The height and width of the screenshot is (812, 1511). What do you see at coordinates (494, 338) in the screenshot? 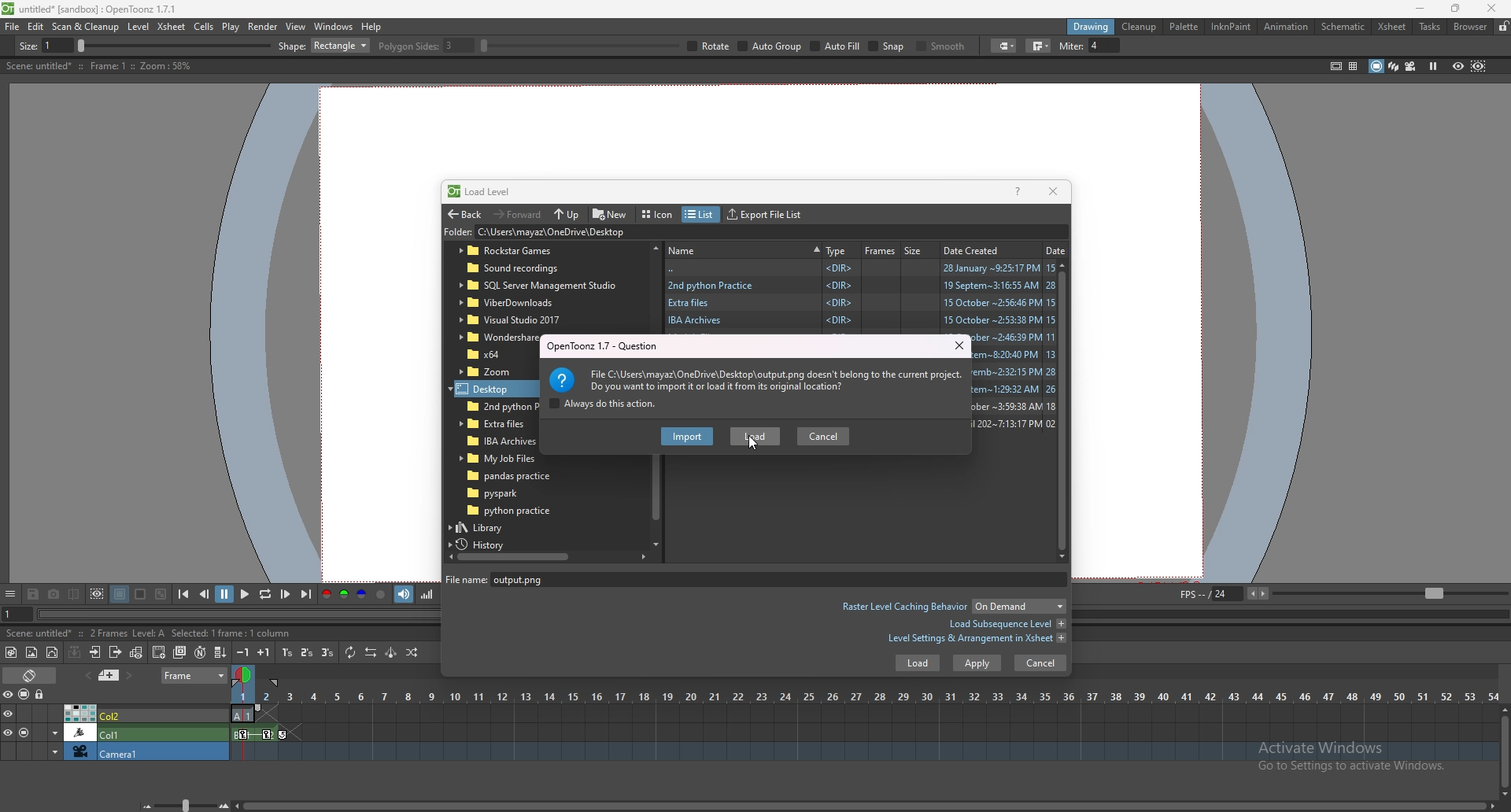
I see `folder` at bounding box center [494, 338].